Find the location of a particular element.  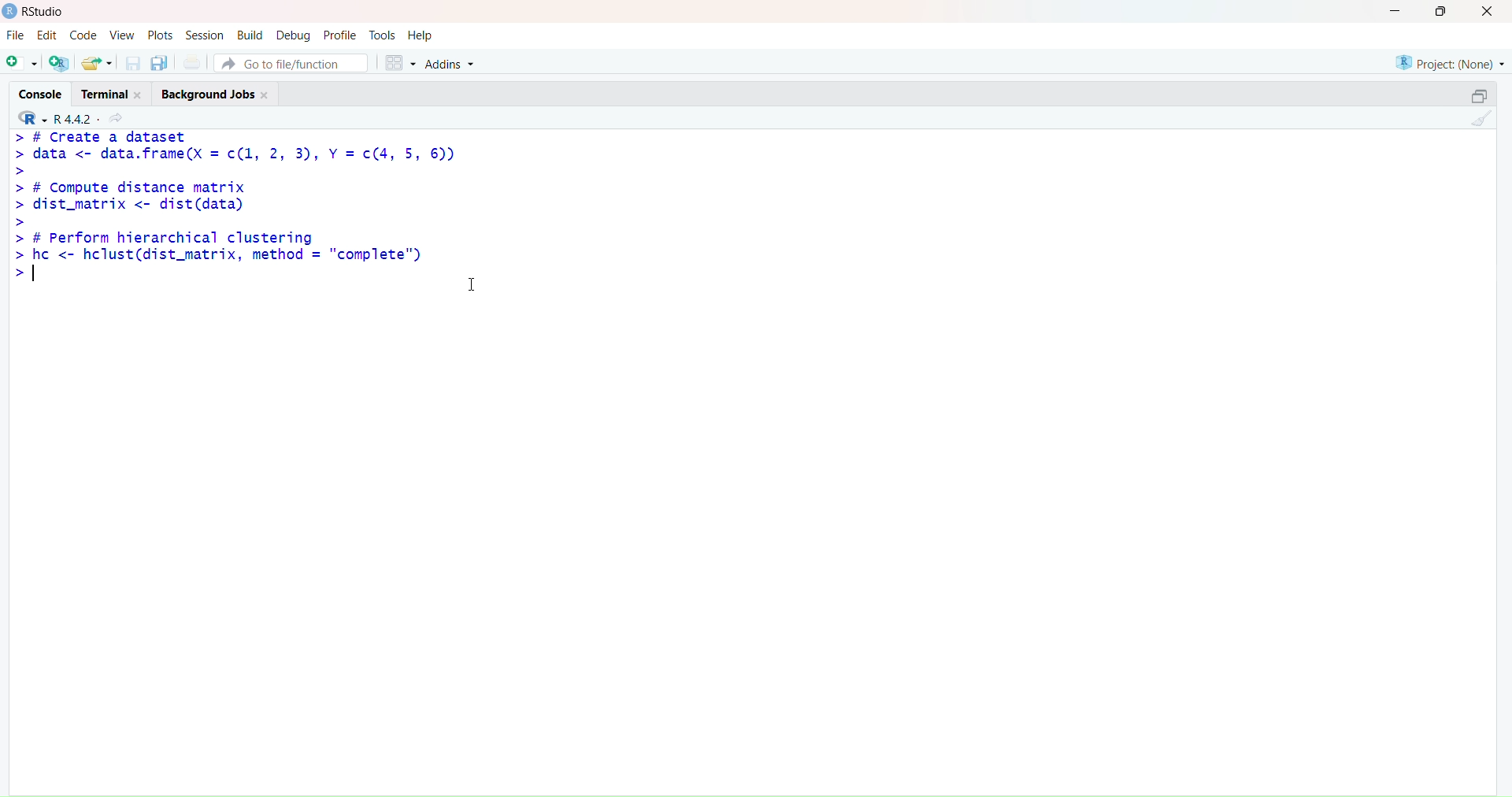

Session is located at coordinates (206, 34).